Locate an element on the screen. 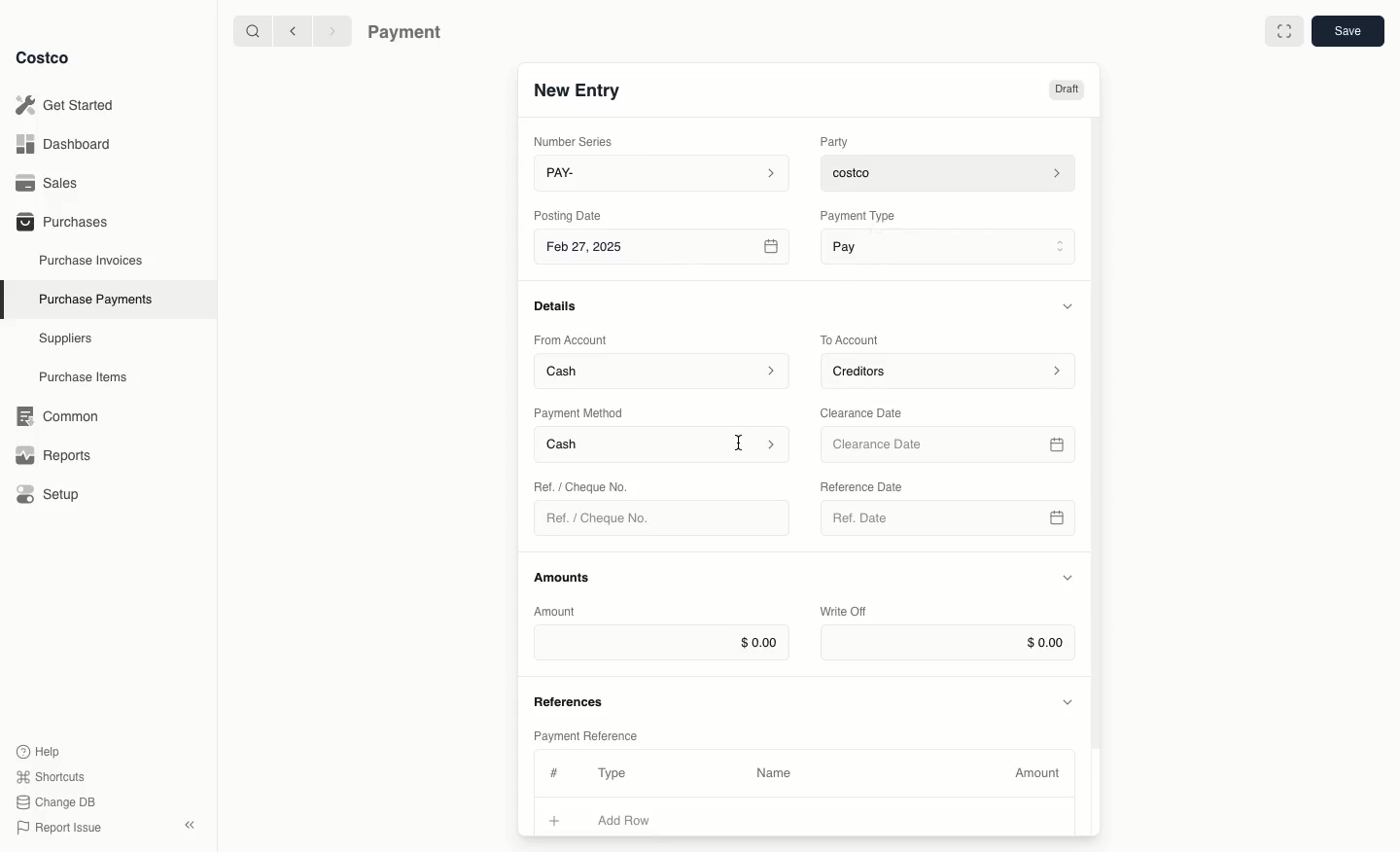  Search is located at coordinates (252, 29).